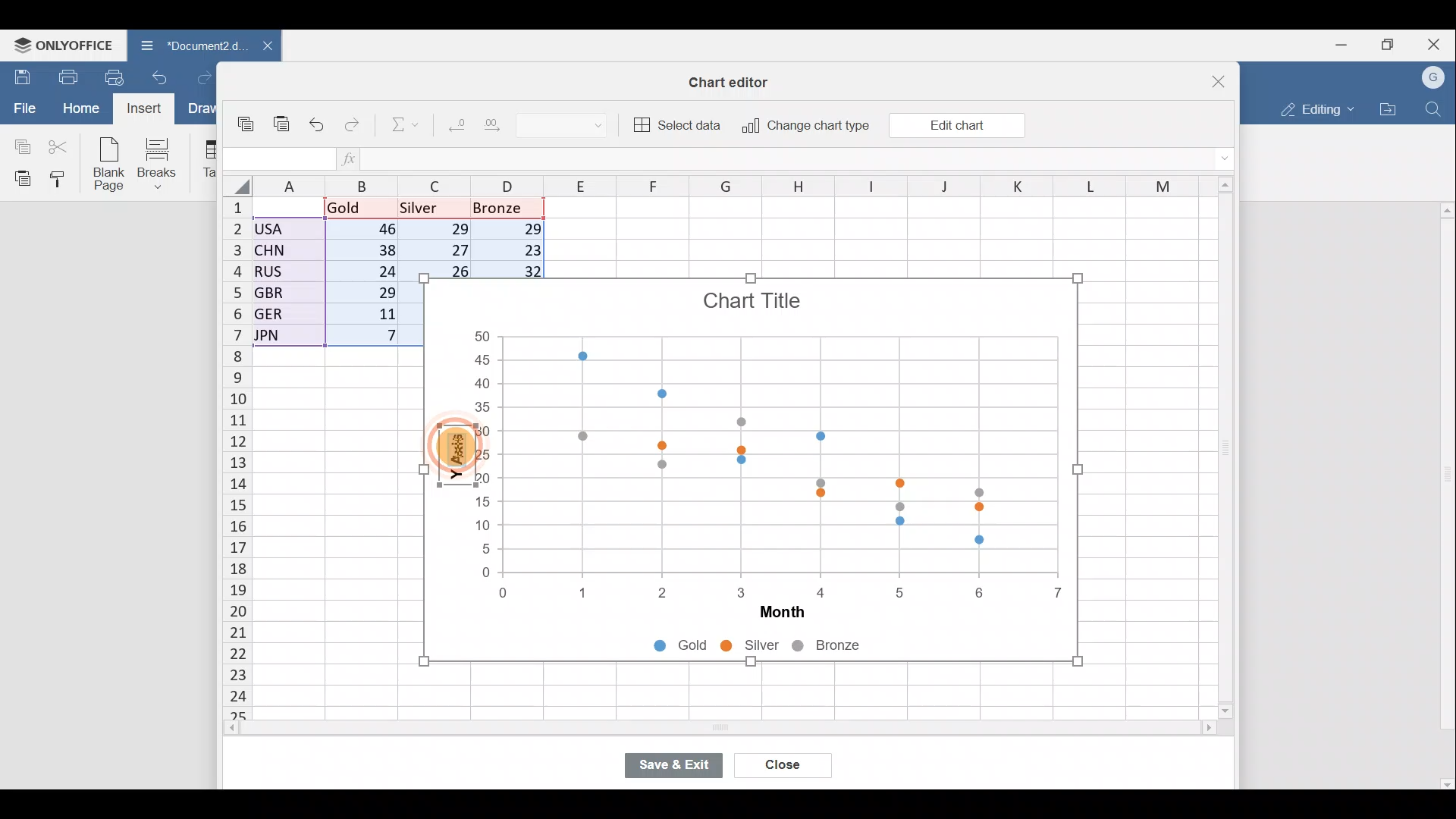 The width and height of the screenshot is (1456, 819). Describe the element at coordinates (259, 47) in the screenshot. I see `Close document` at that location.